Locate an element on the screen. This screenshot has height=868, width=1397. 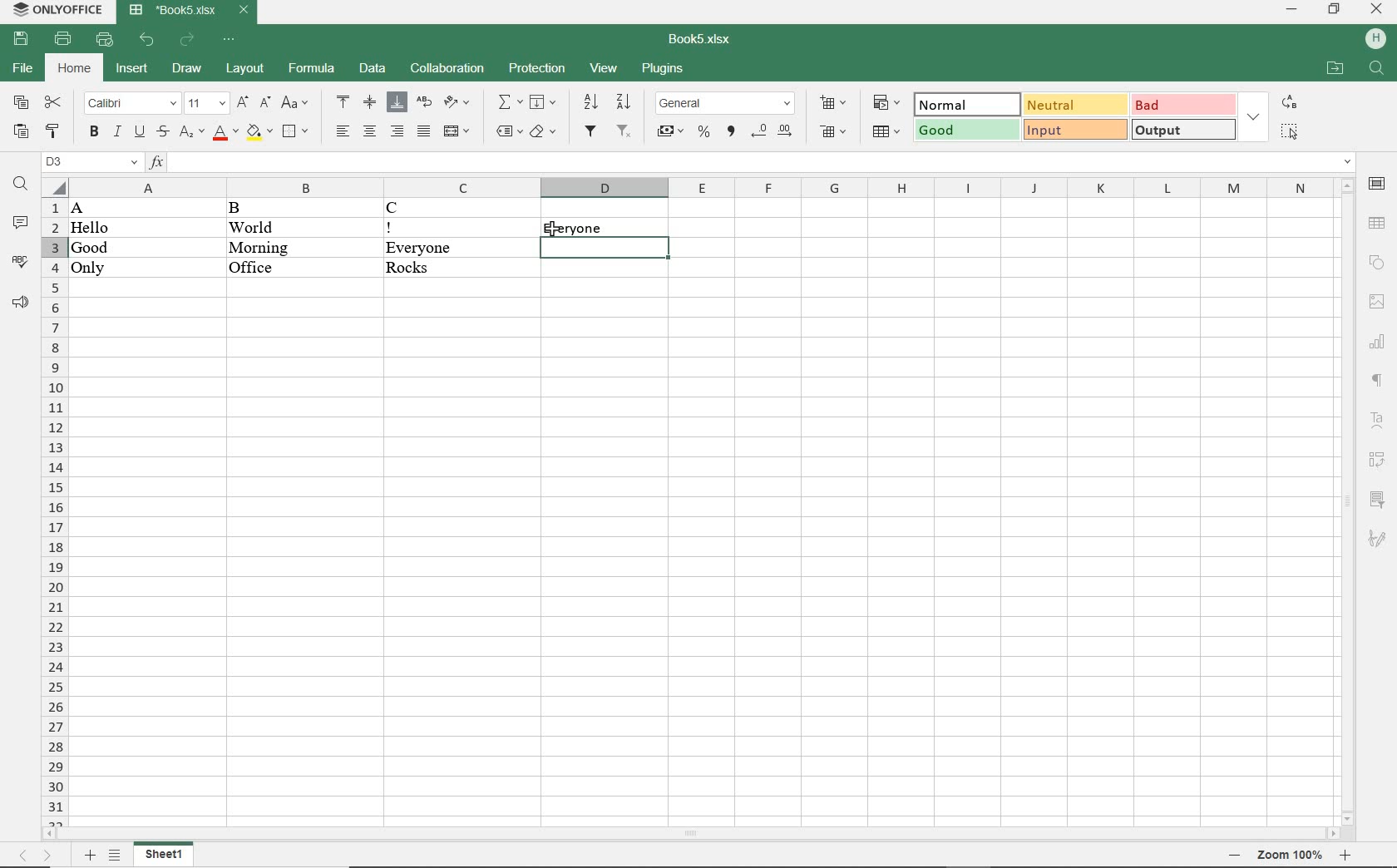
italic is located at coordinates (117, 132).